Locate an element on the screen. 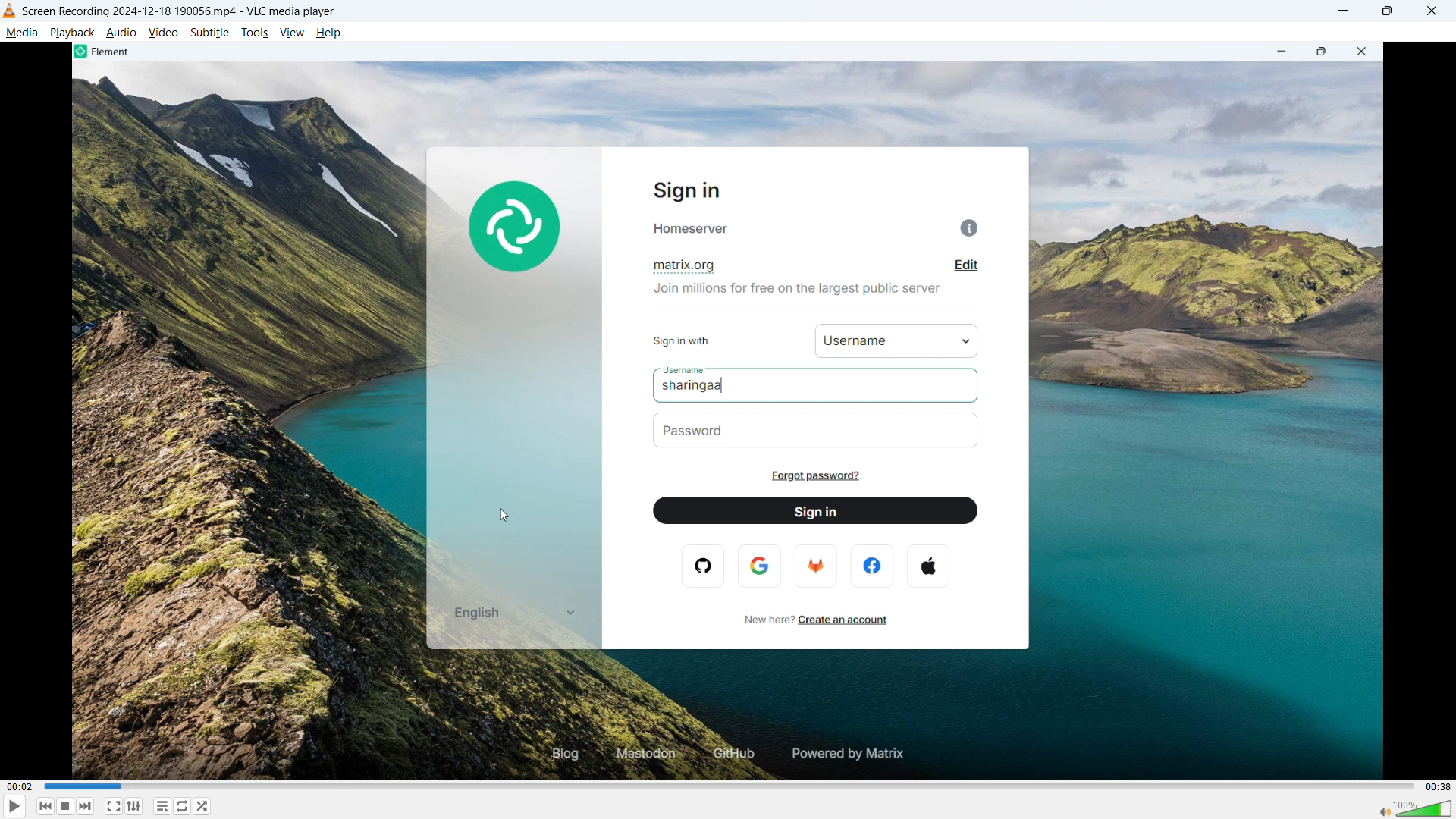 The width and height of the screenshot is (1456, 819). close  is located at coordinates (1430, 11).